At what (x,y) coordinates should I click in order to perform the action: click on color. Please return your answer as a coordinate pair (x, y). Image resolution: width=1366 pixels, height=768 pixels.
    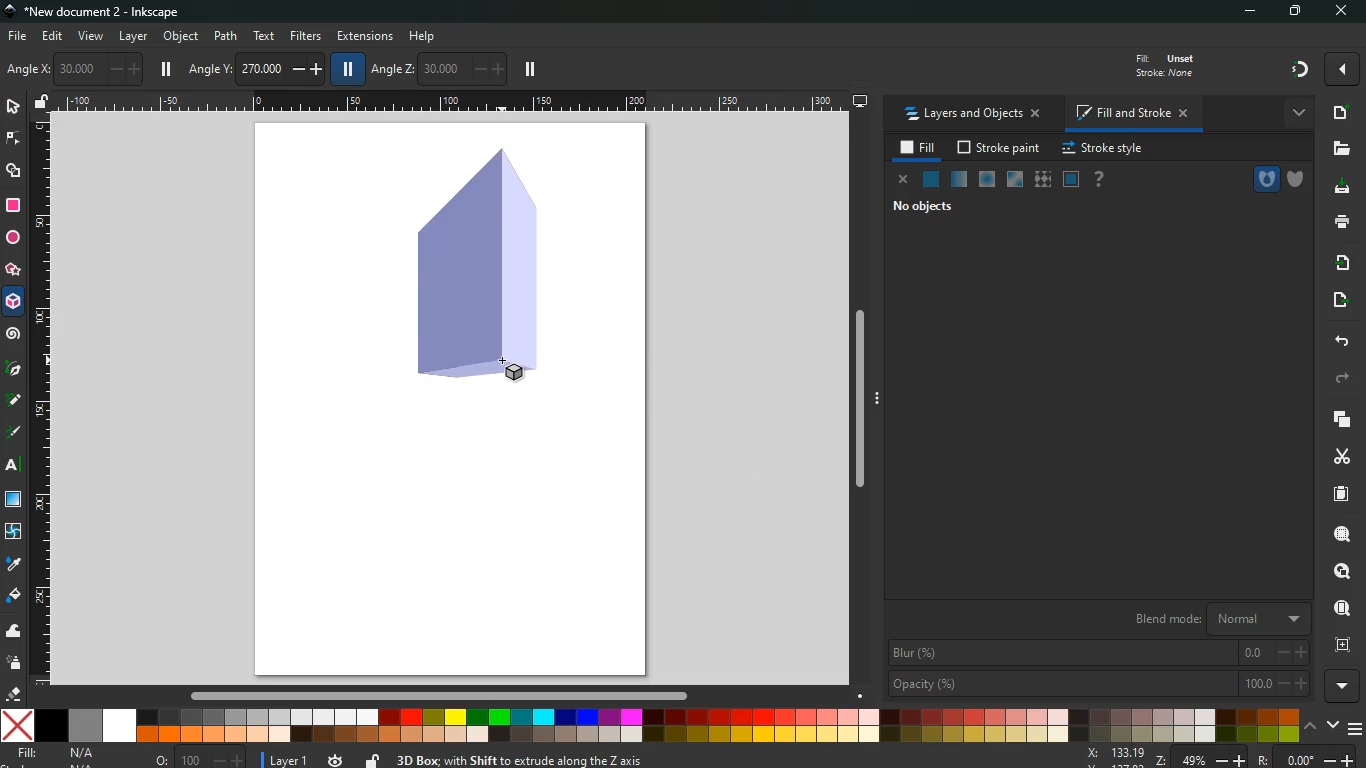
    Looking at the image, I should click on (651, 725).